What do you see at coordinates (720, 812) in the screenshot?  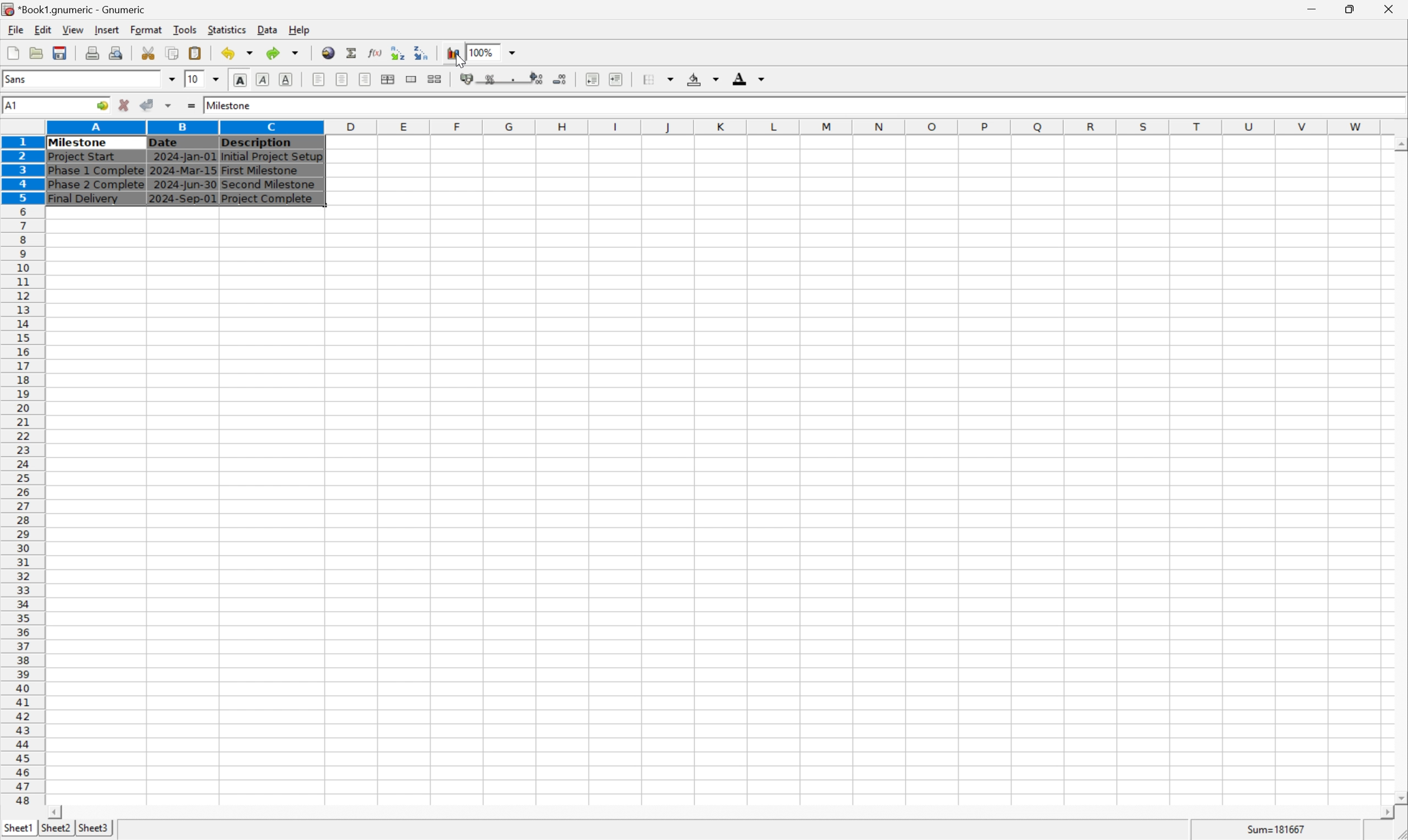 I see `scroll bar` at bounding box center [720, 812].